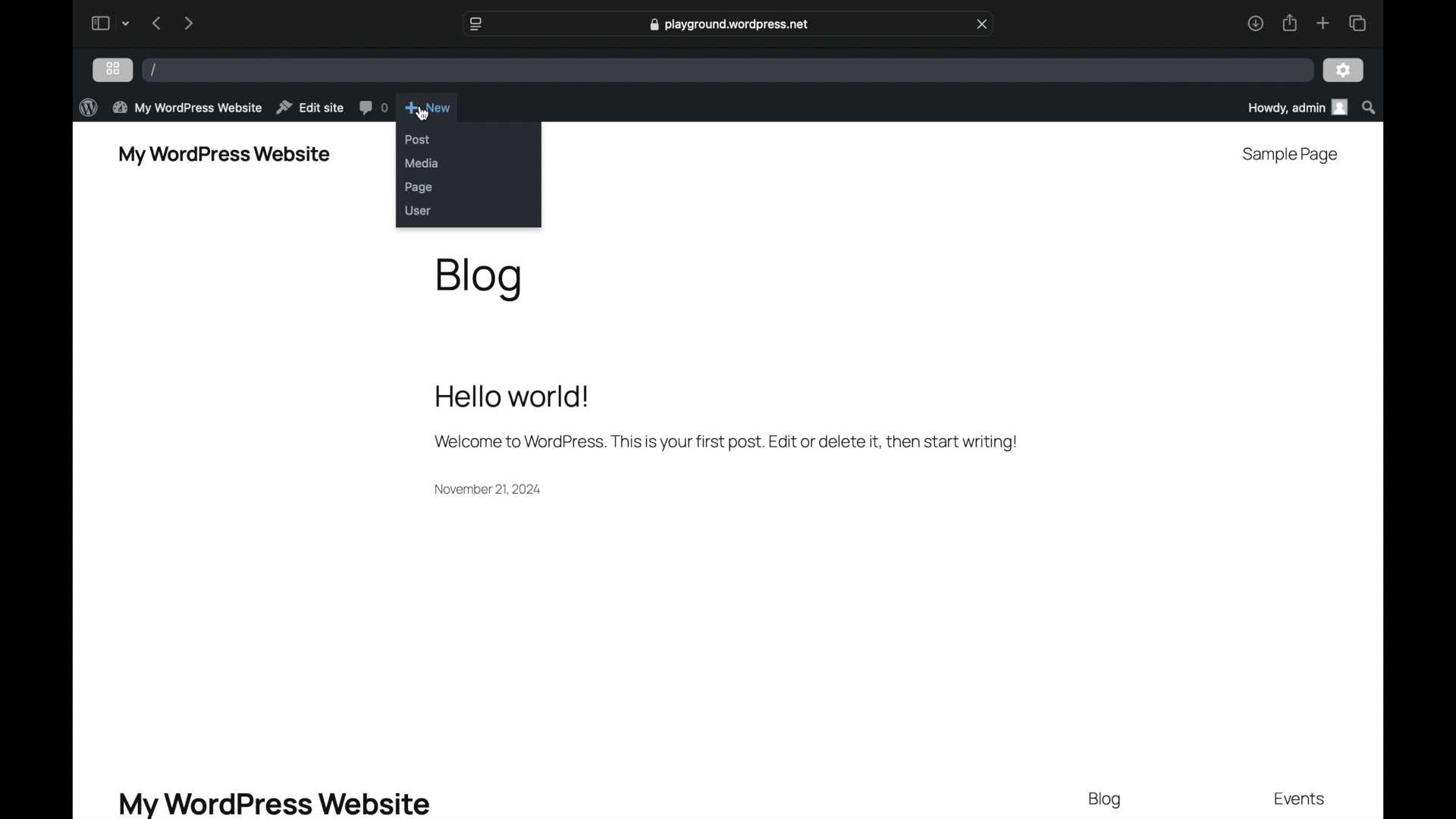 The height and width of the screenshot is (819, 1456). I want to click on my wordpress website, so click(273, 802).